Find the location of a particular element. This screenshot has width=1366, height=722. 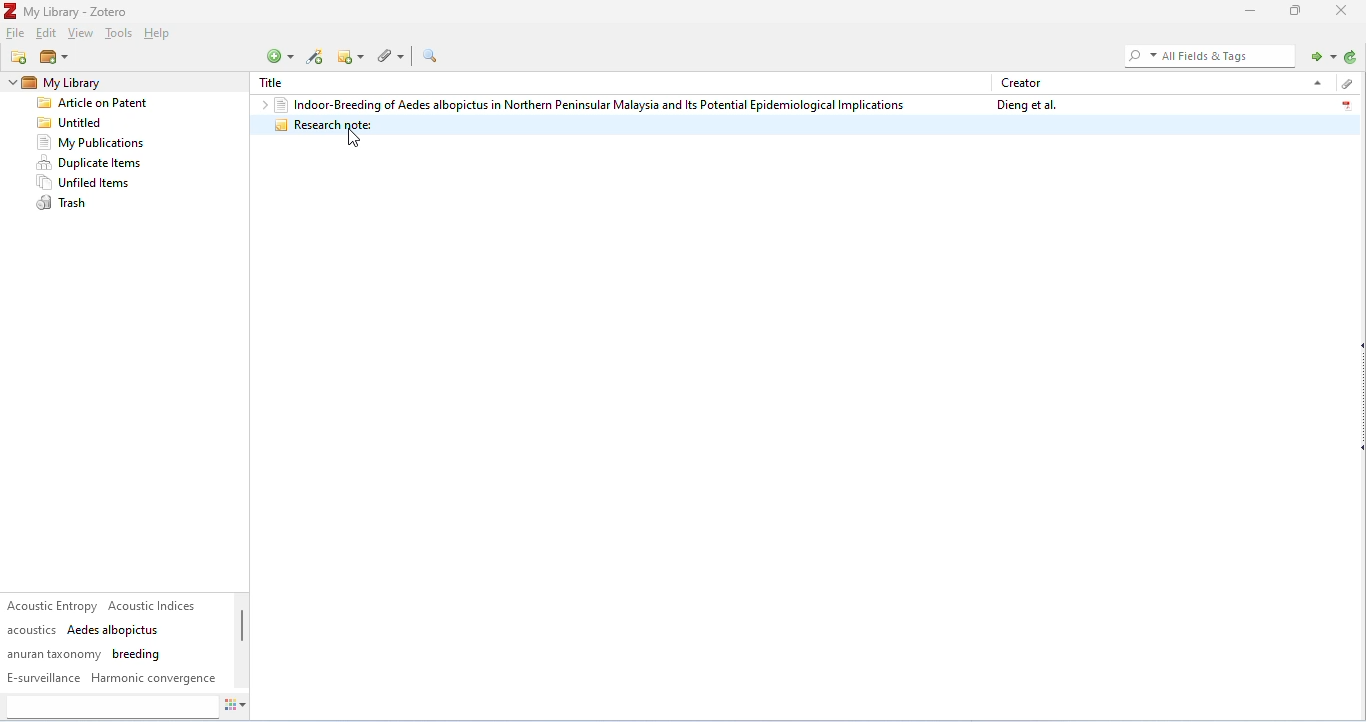

close is located at coordinates (1344, 10).